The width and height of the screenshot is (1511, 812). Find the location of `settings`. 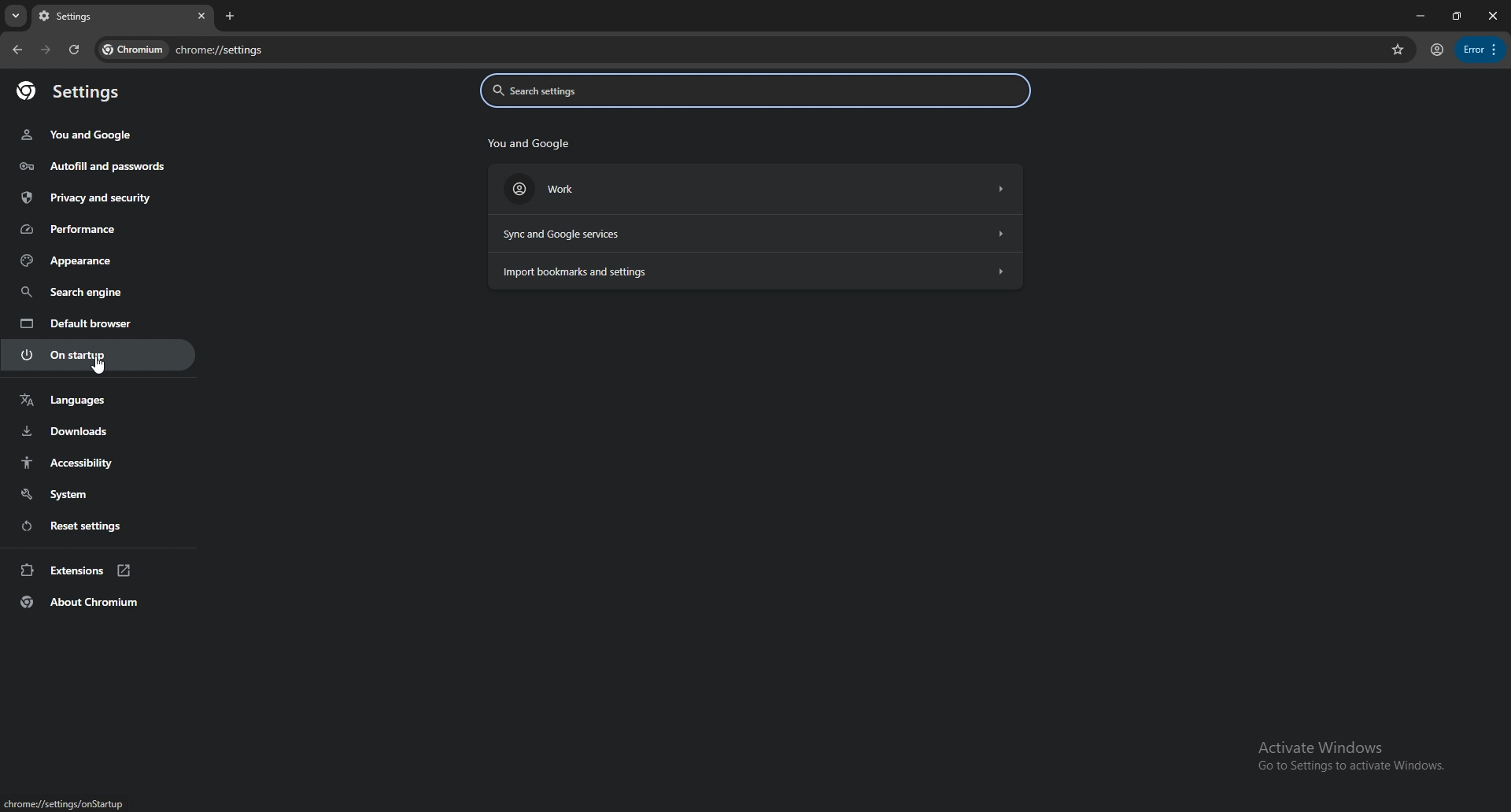

settings is located at coordinates (80, 93).